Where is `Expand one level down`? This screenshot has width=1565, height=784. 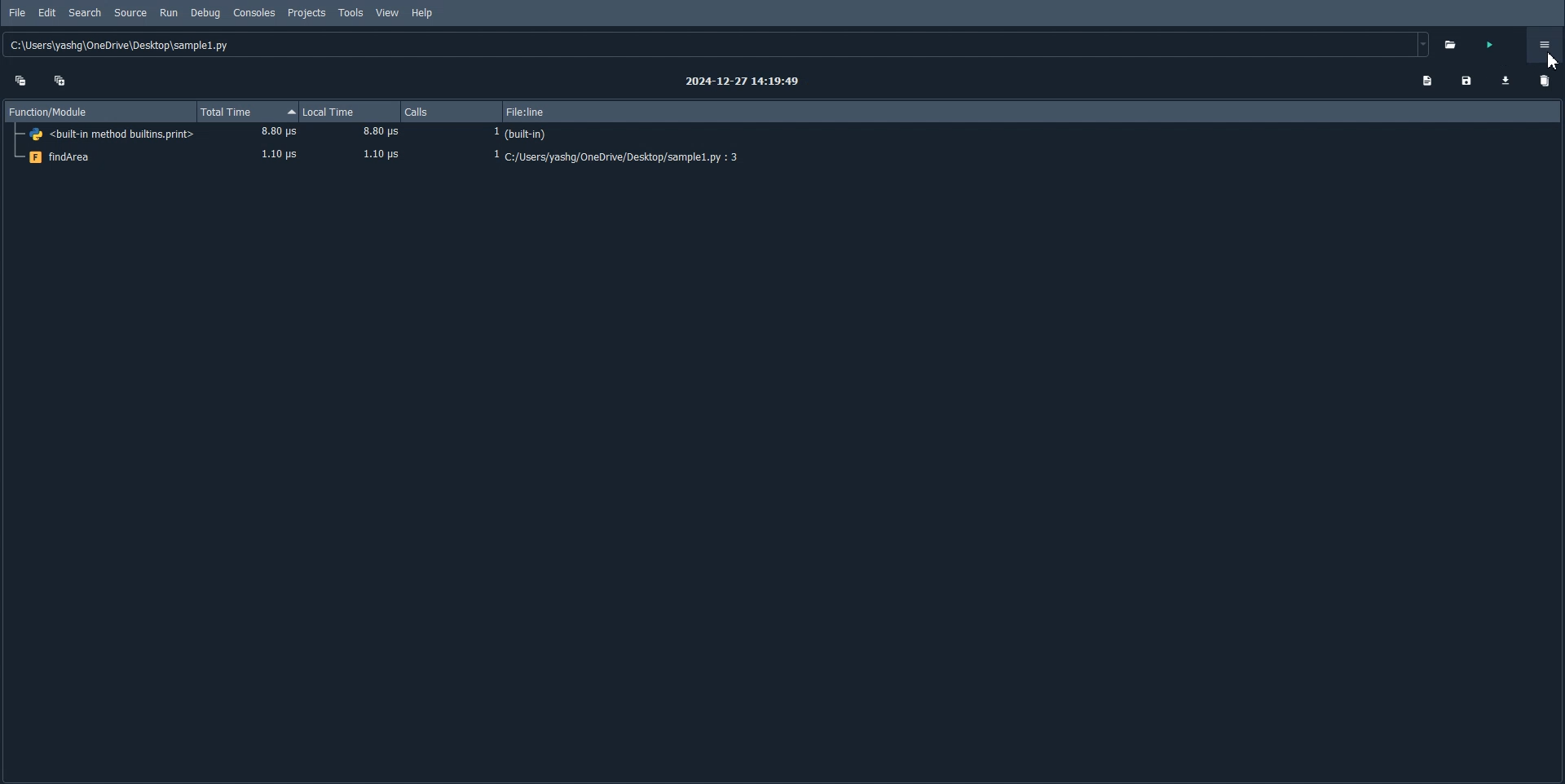
Expand one level down is located at coordinates (61, 79).